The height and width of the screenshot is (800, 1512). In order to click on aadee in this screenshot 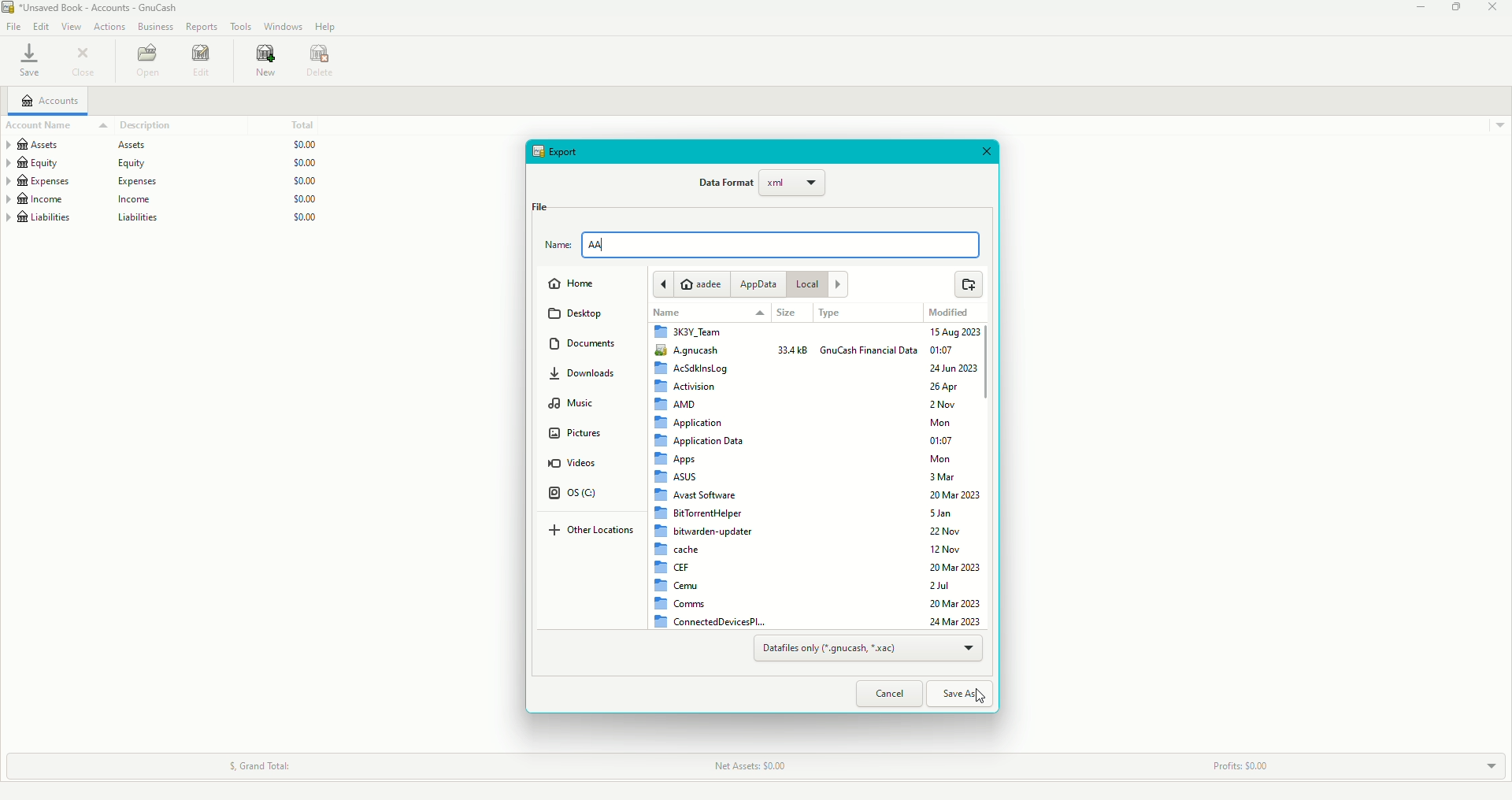, I will do `click(693, 283)`.